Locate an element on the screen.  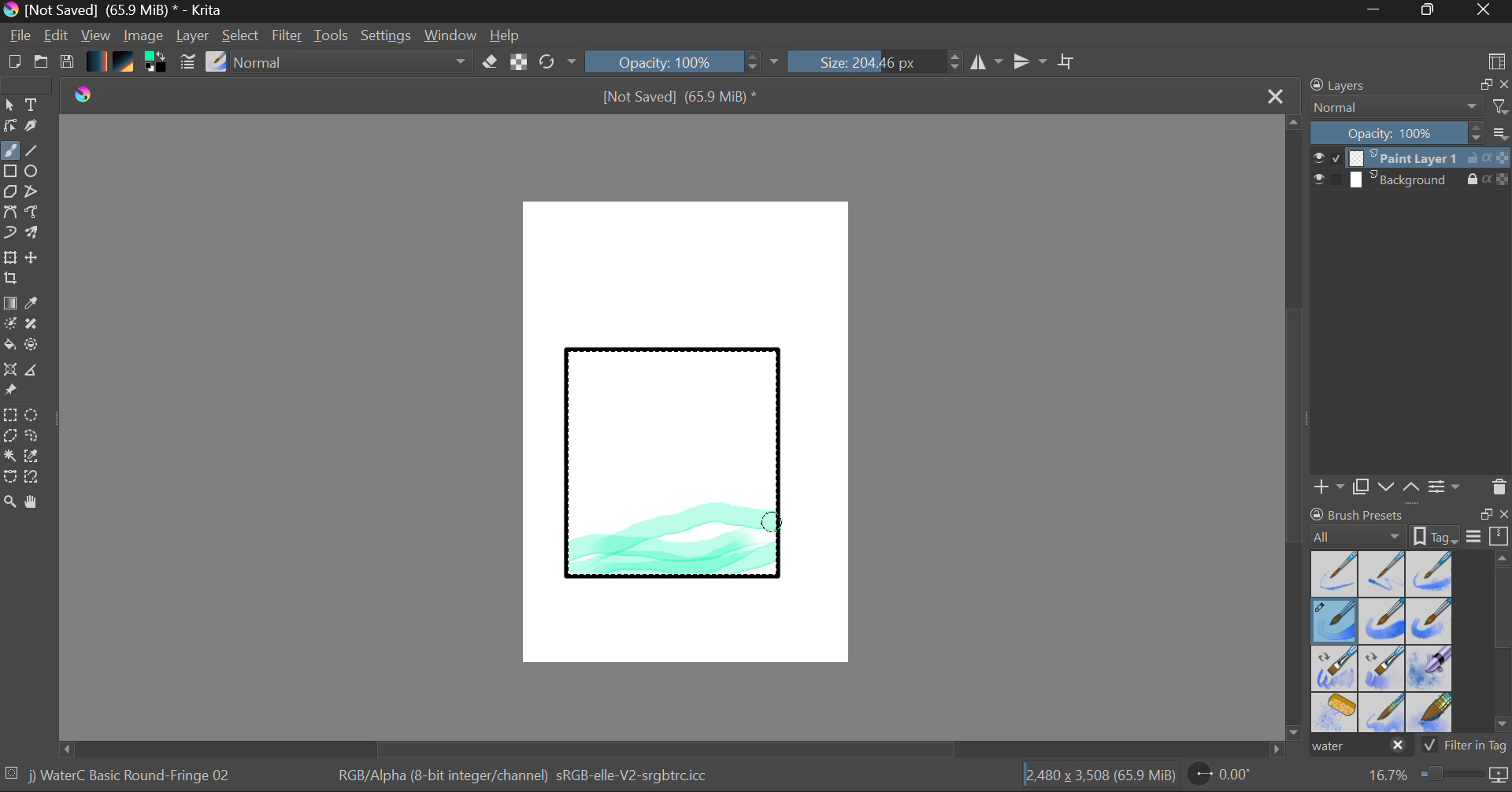
Elipses Selection tool is located at coordinates (35, 416).